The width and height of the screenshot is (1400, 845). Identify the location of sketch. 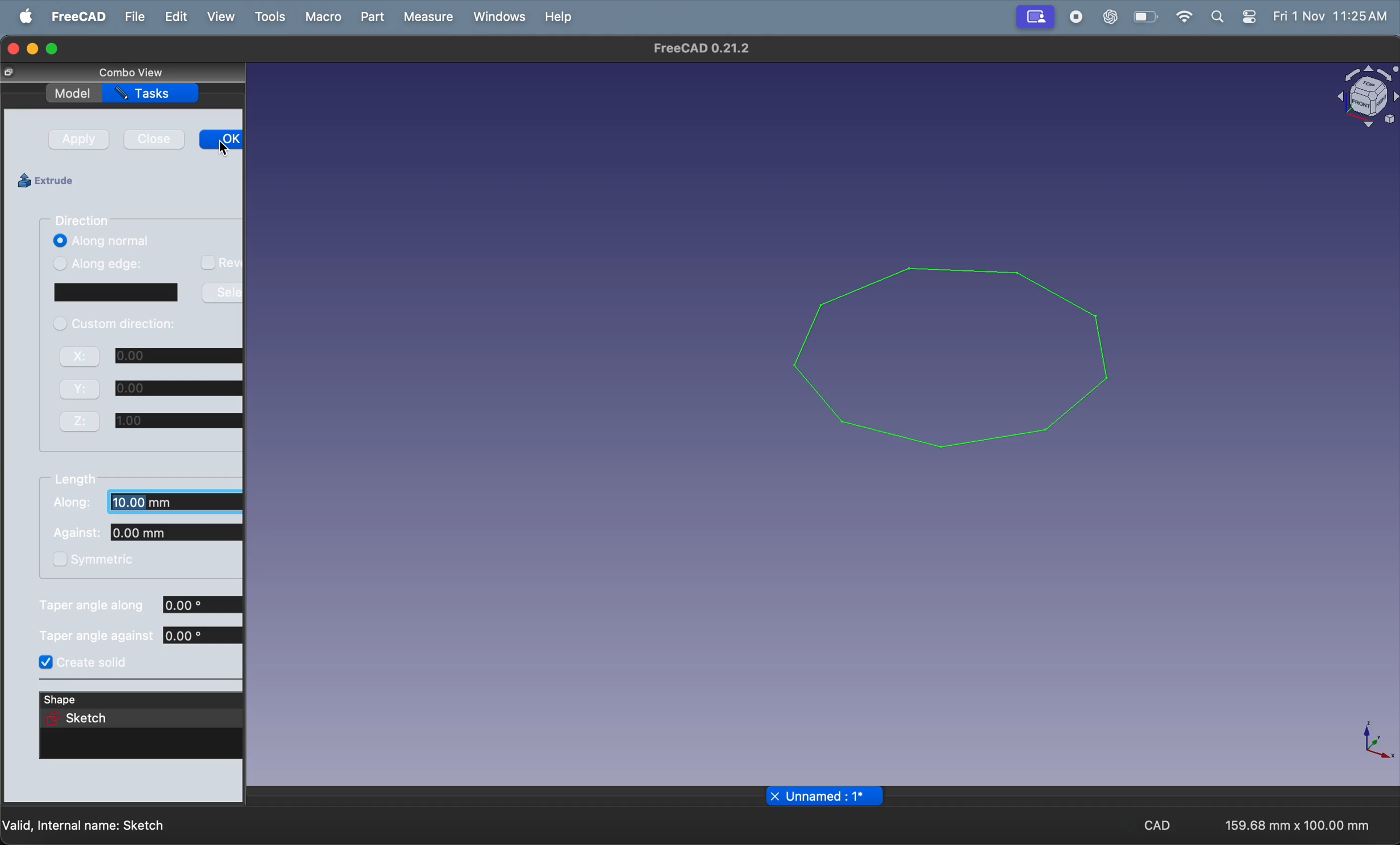
(85, 719).